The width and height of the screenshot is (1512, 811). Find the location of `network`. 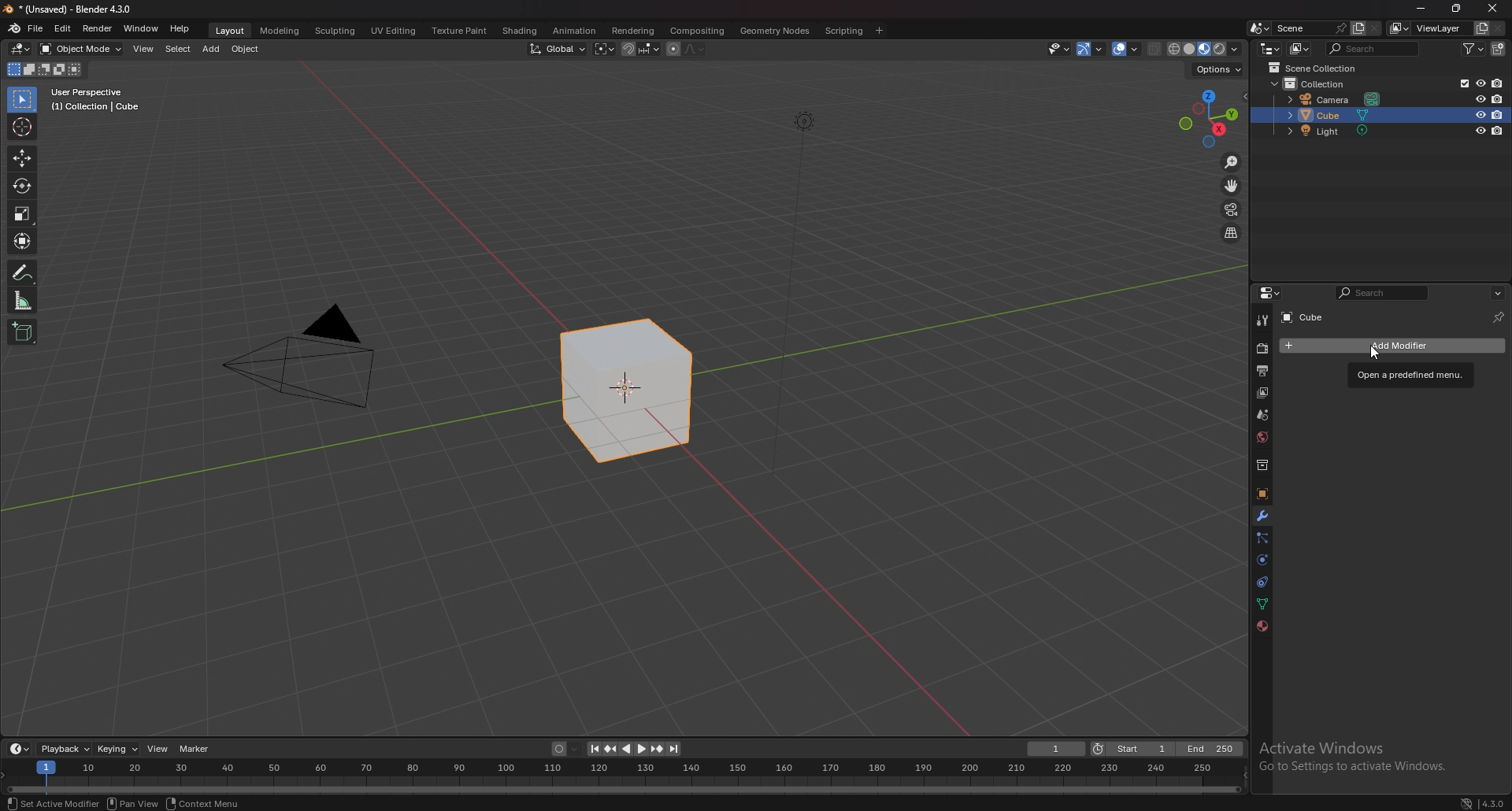

network is located at coordinates (1462, 802).